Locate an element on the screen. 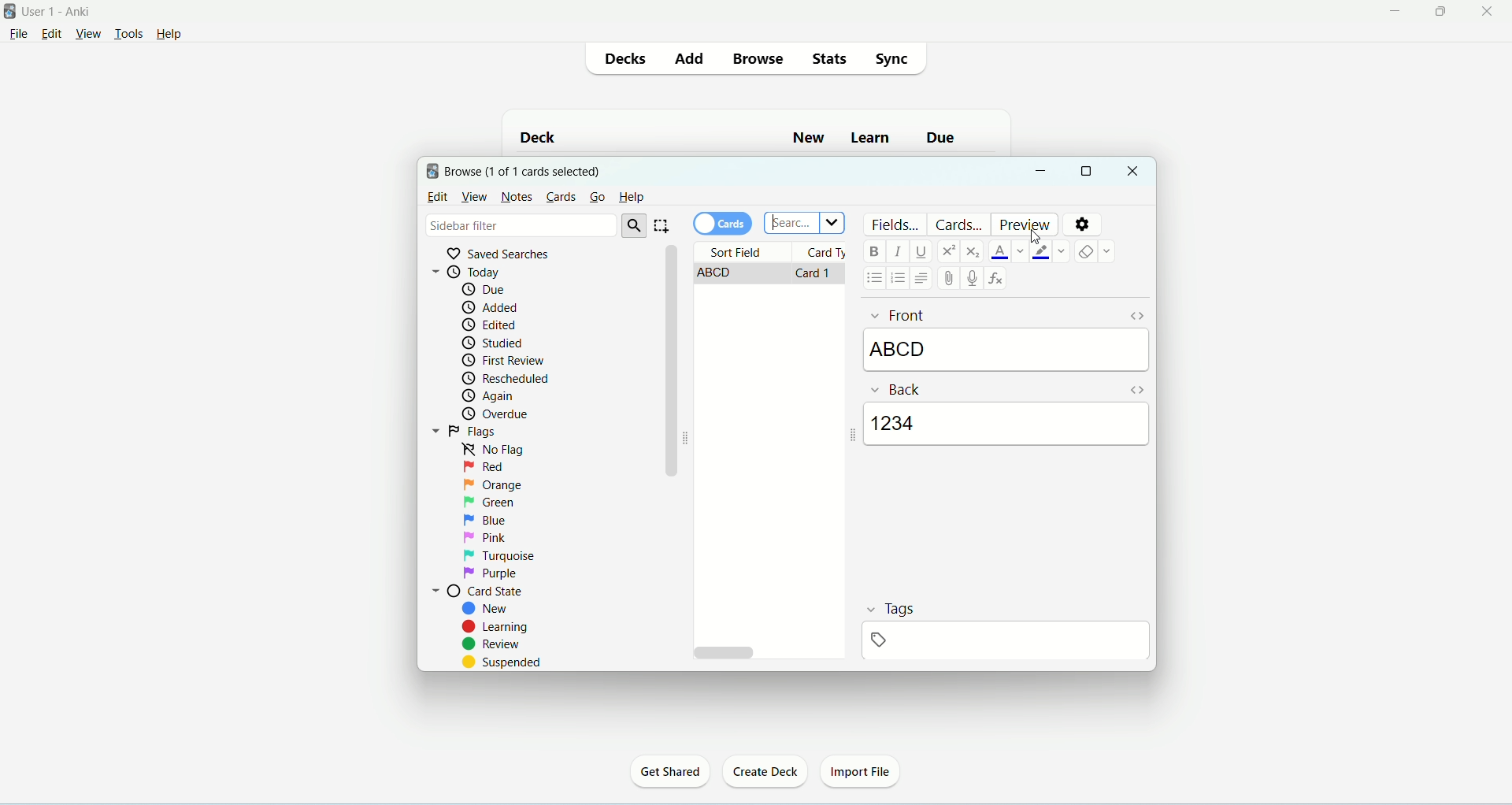 The width and height of the screenshot is (1512, 805). overdue is located at coordinates (497, 414).